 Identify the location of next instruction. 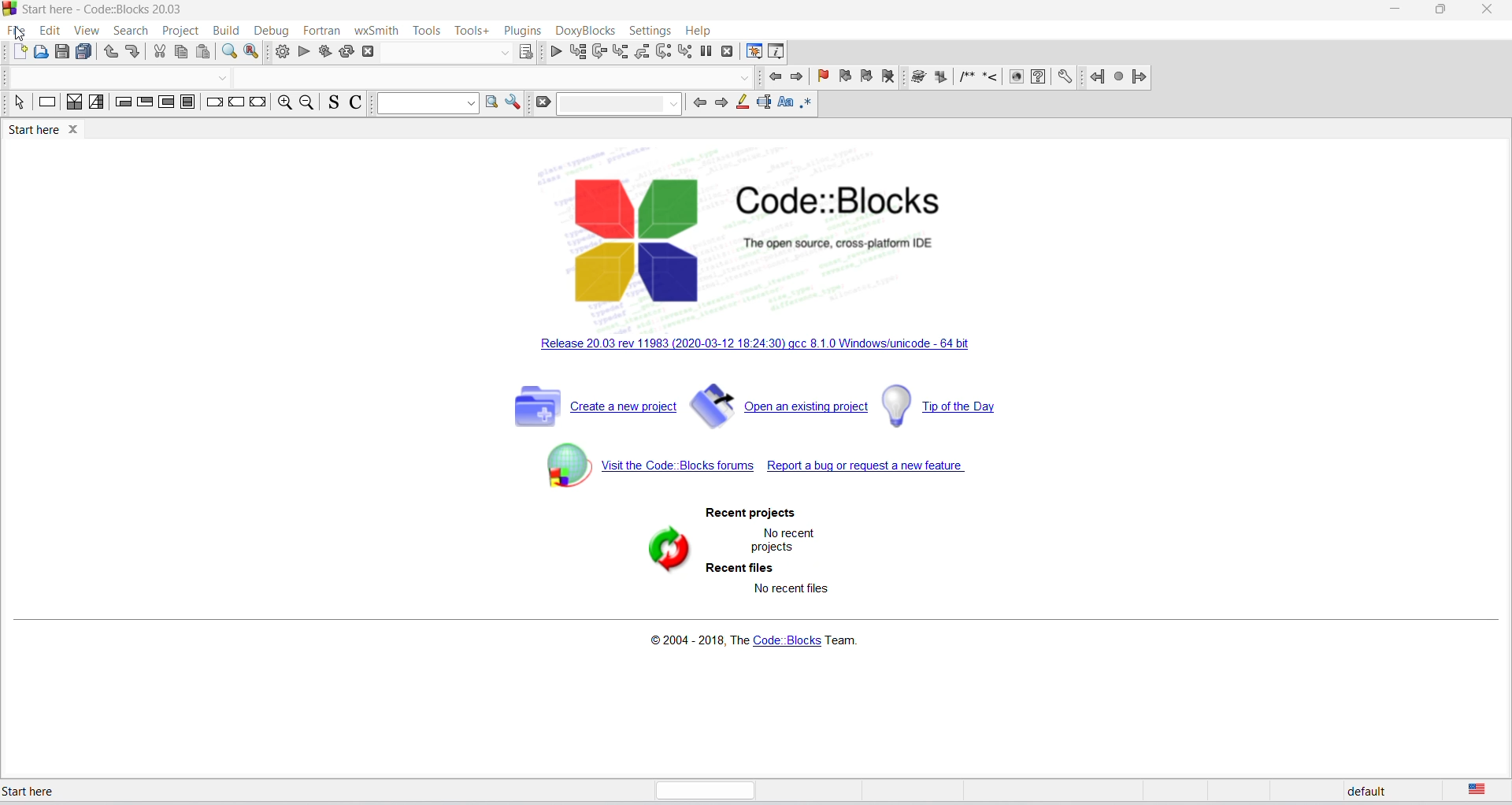
(663, 52).